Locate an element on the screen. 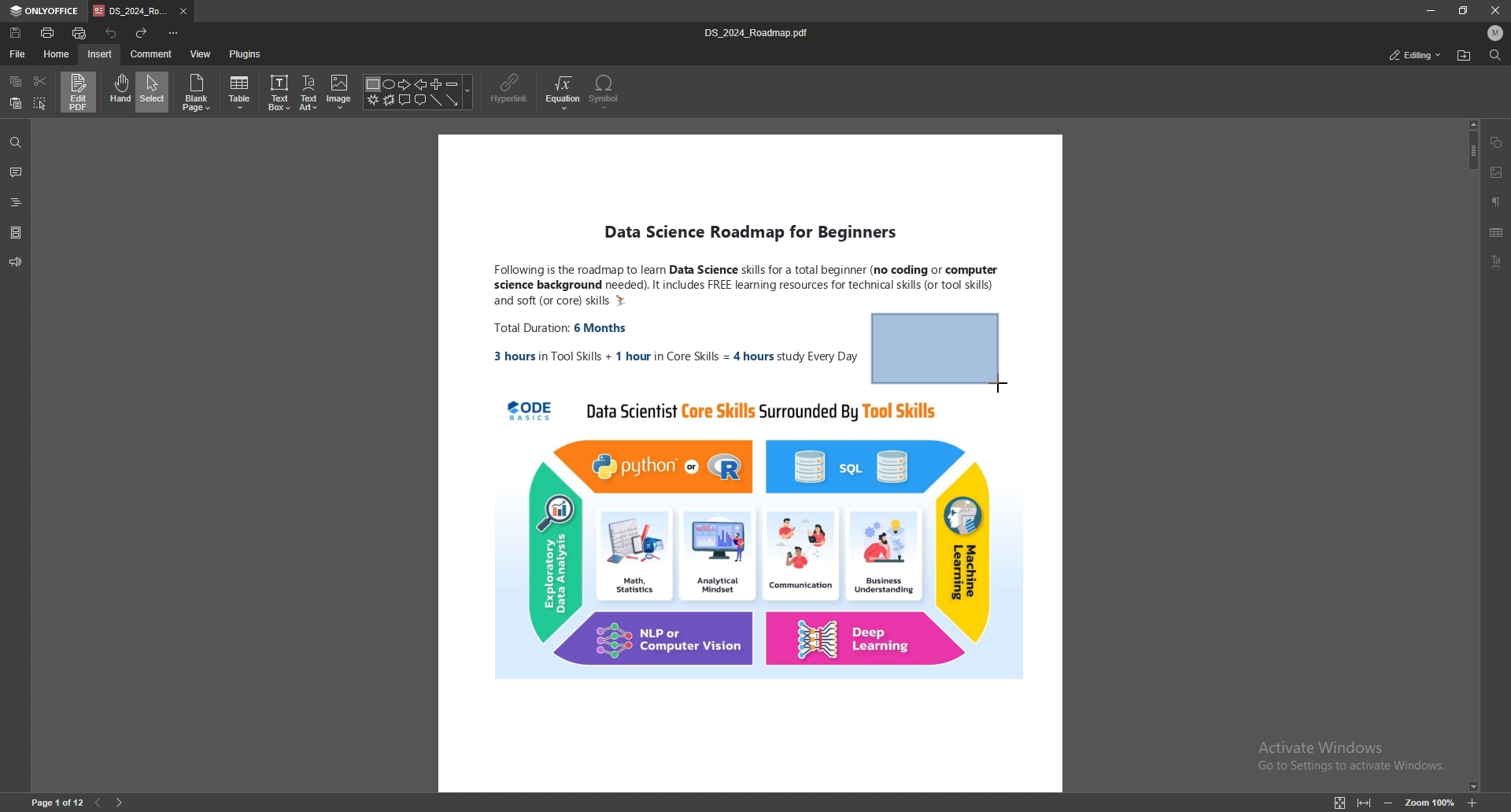  previous page is located at coordinates (99, 801).